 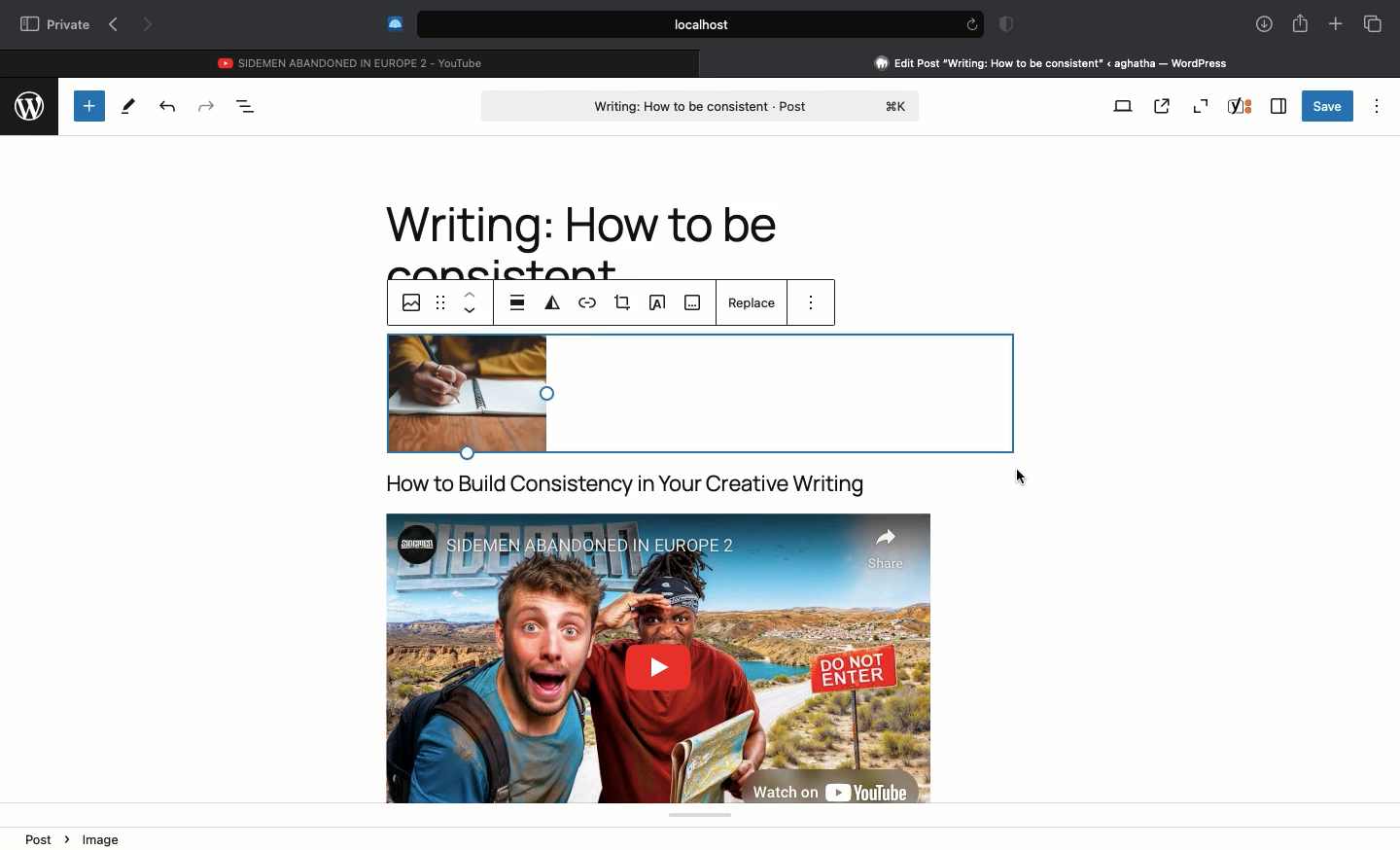 I want to click on crop, so click(x=624, y=301).